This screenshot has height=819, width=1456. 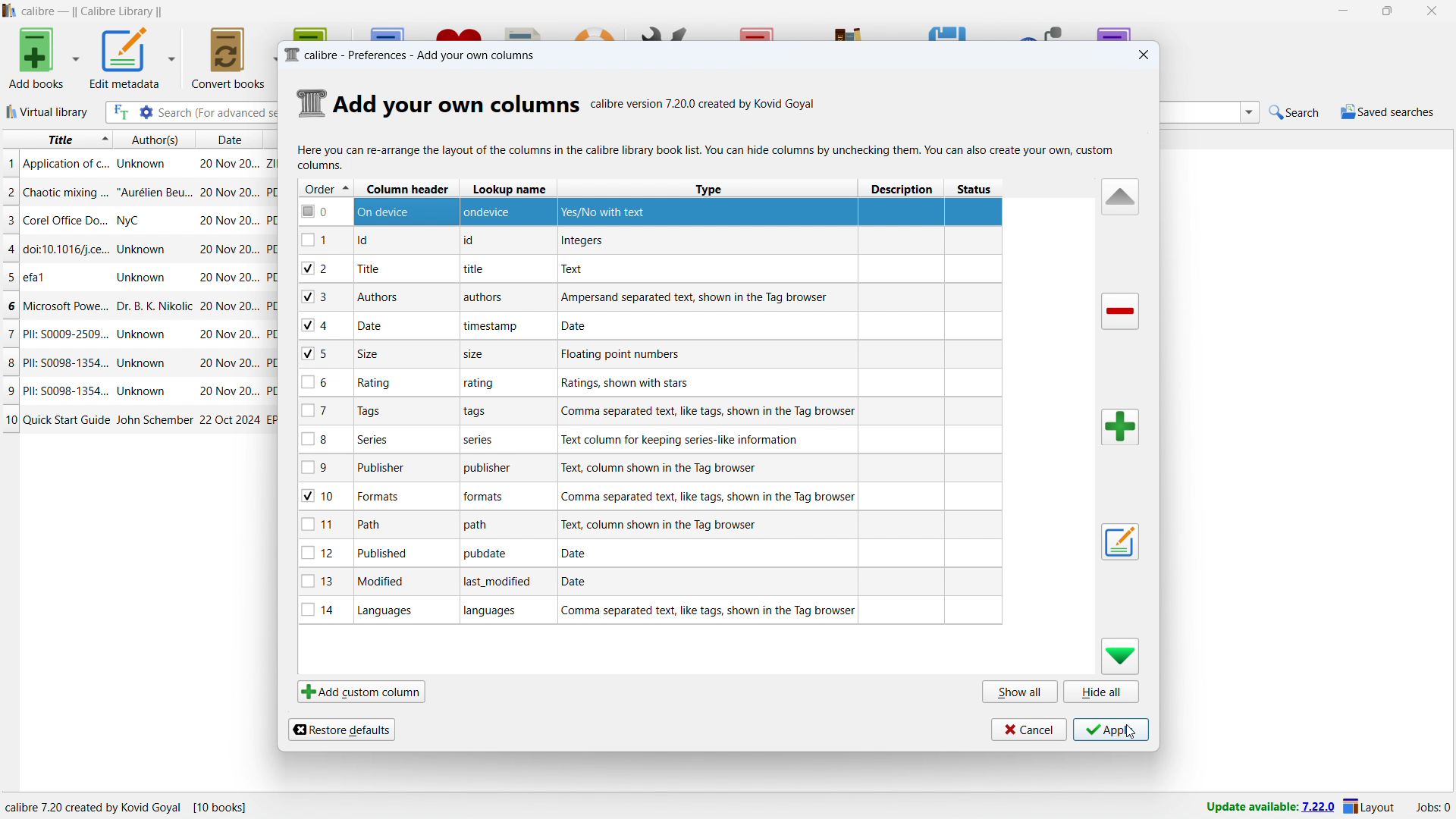 What do you see at coordinates (485, 468) in the screenshot?
I see `publisher` at bounding box center [485, 468].